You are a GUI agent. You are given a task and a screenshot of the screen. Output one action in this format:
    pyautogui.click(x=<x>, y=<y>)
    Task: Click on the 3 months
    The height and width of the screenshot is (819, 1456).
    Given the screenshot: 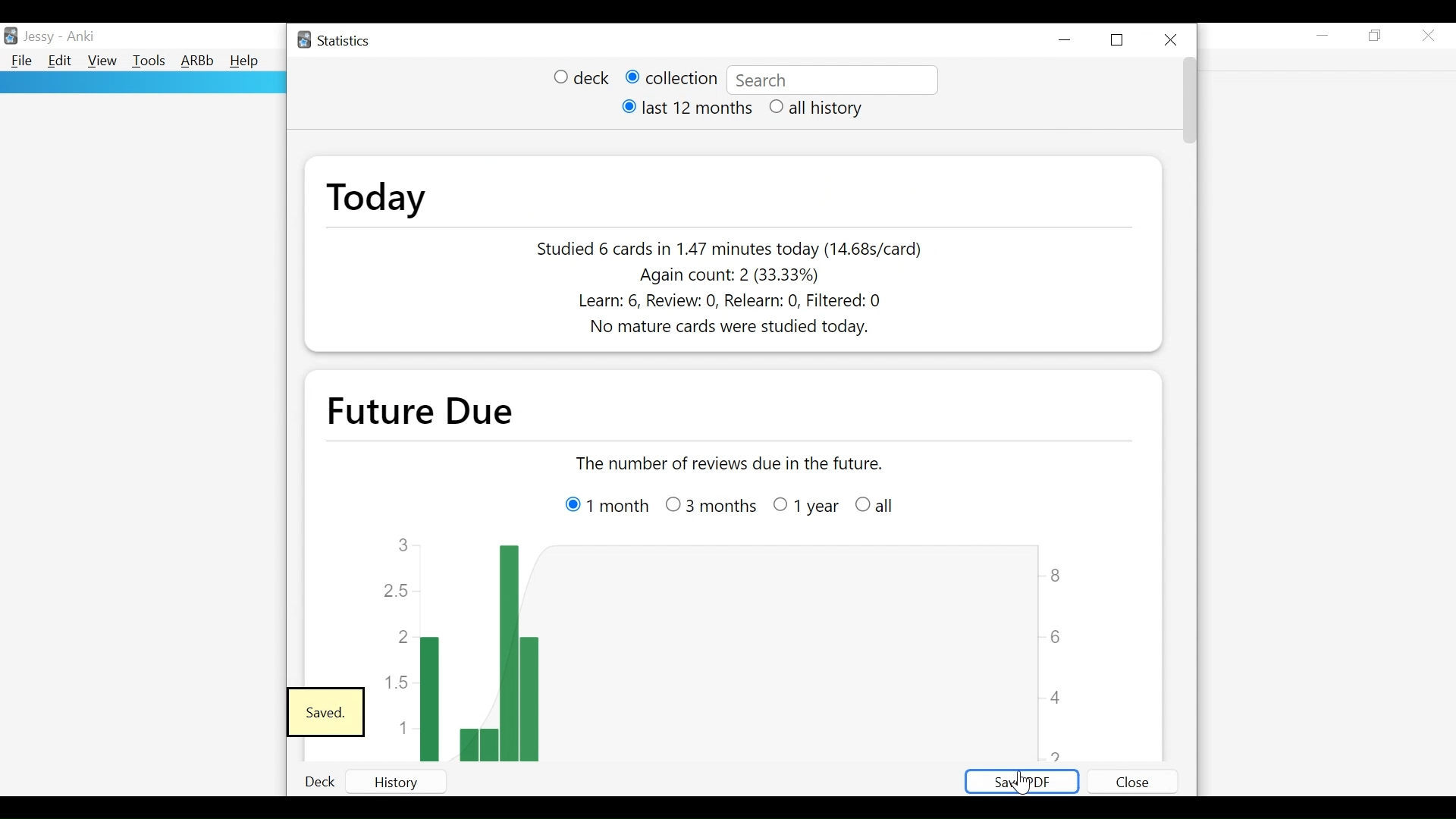 What is the action you would take?
    pyautogui.click(x=710, y=502)
    